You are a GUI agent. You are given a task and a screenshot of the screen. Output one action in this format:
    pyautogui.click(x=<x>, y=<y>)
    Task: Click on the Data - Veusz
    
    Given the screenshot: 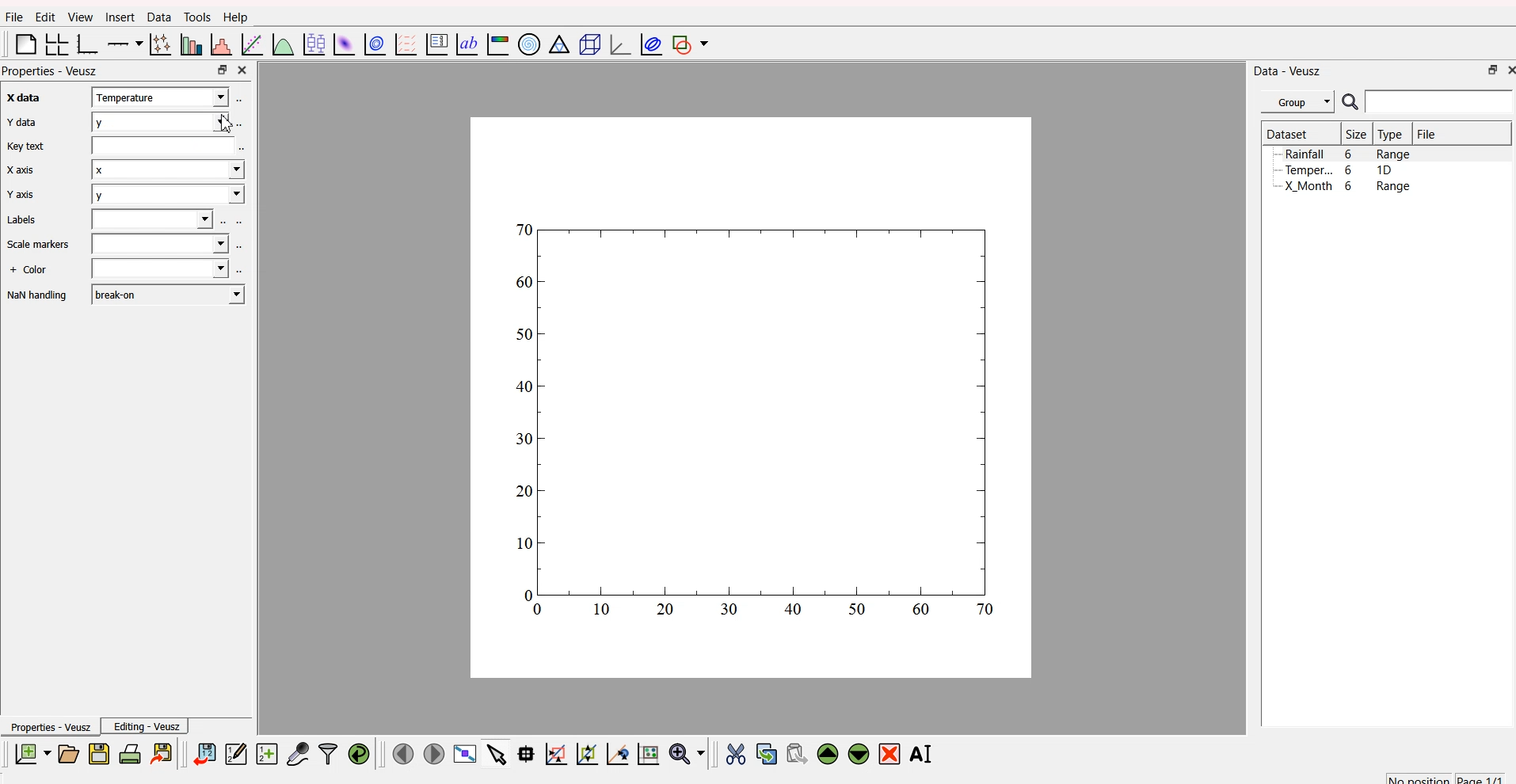 What is the action you would take?
    pyautogui.click(x=1289, y=70)
    